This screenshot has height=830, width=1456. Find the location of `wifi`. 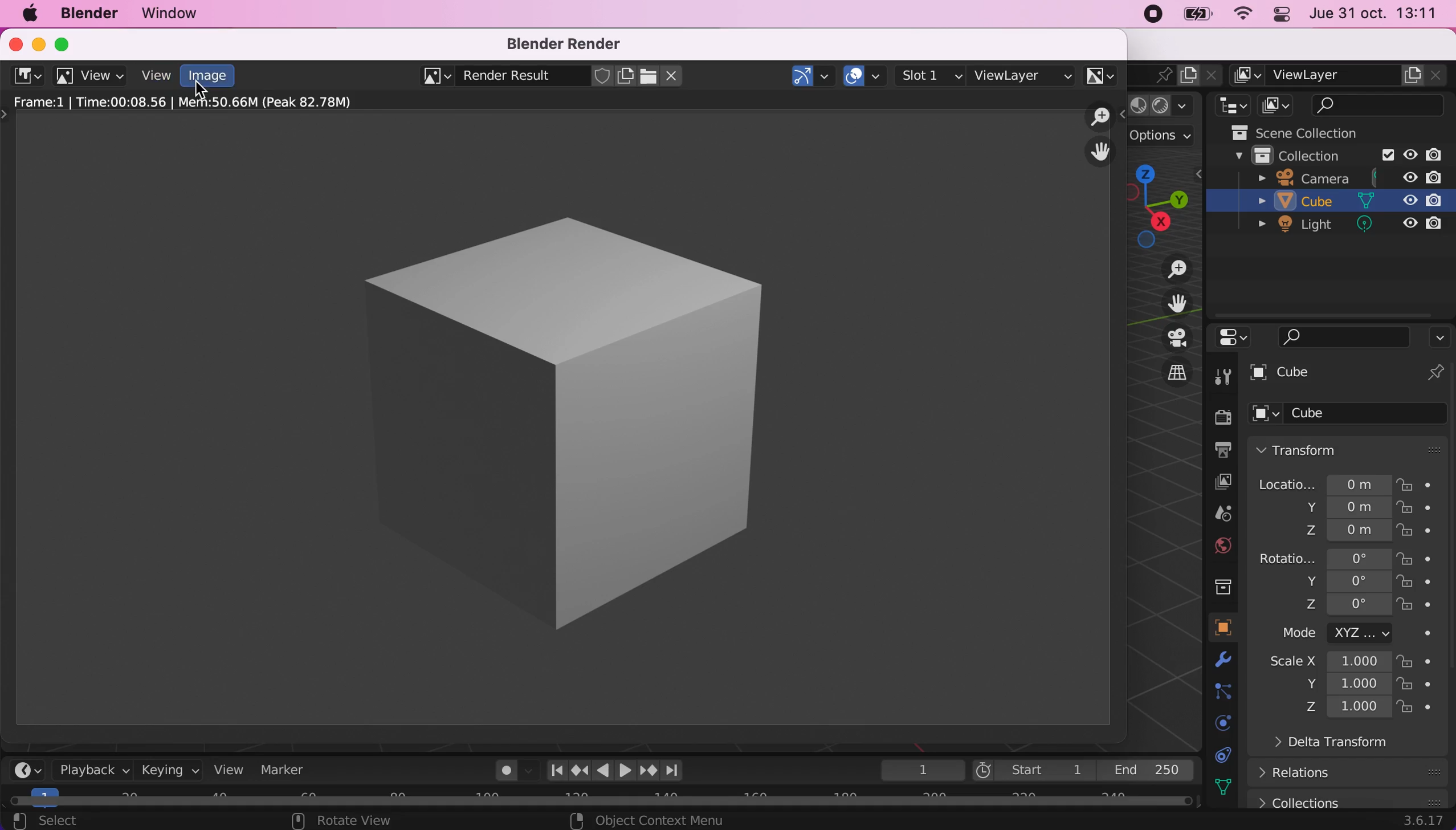

wifi is located at coordinates (1245, 14).